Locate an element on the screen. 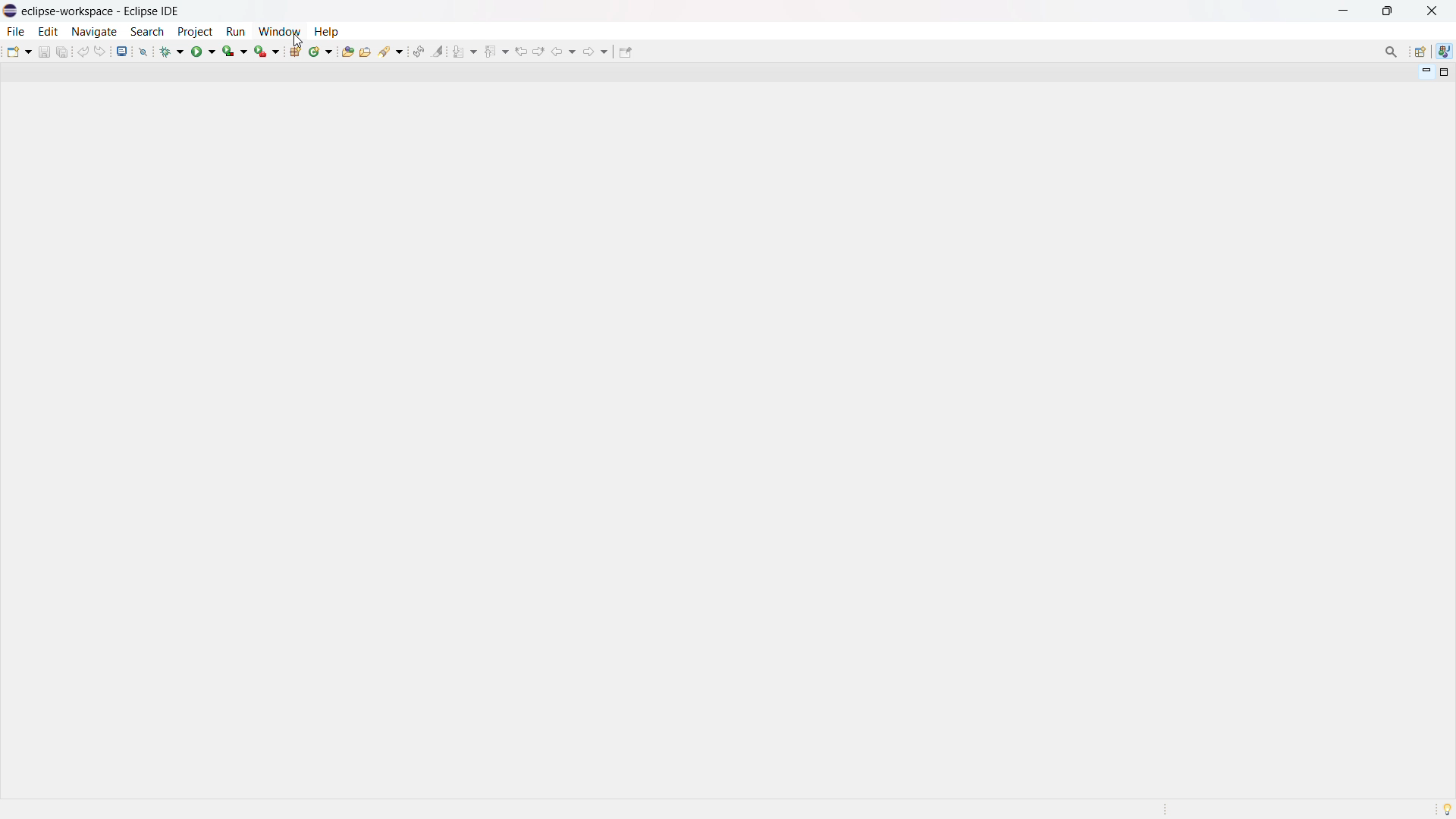 The height and width of the screenshot is (819, 1456). open perspective is located at coordinates (1419, 52).